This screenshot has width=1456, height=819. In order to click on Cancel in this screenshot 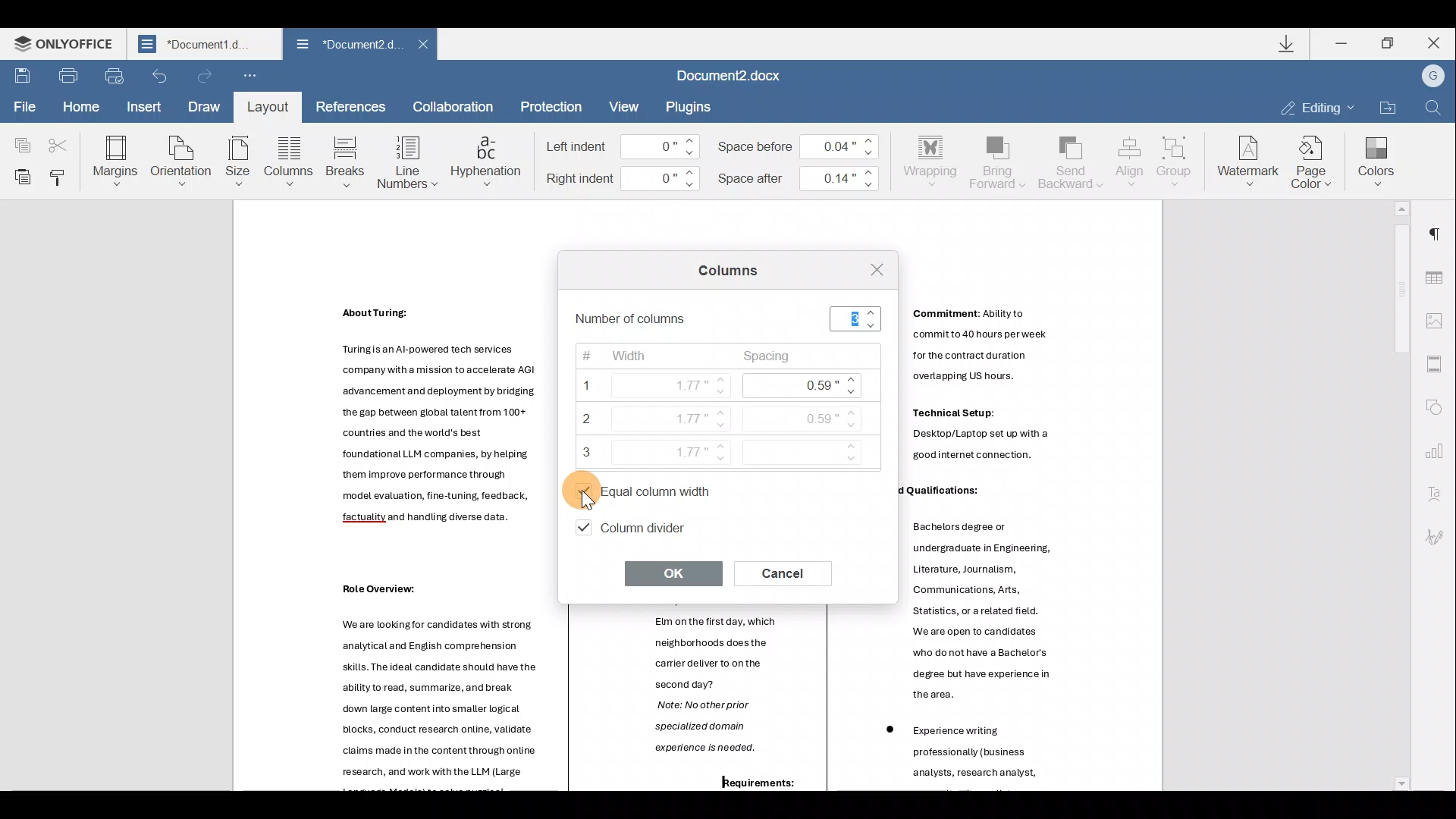, I will do `click(791, 572)`.